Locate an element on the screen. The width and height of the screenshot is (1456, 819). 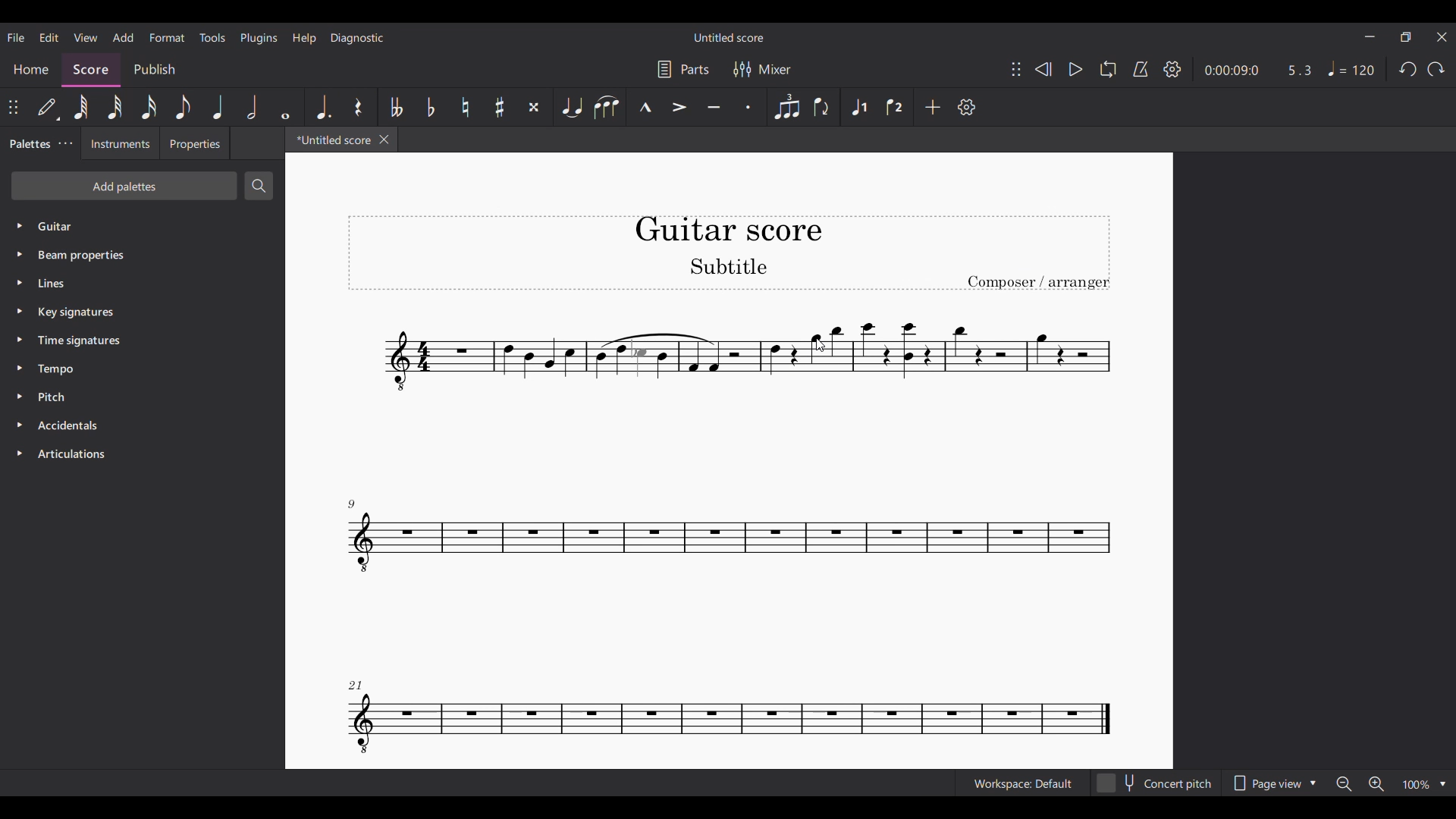
Add palette is located at coordinates (124, 186).